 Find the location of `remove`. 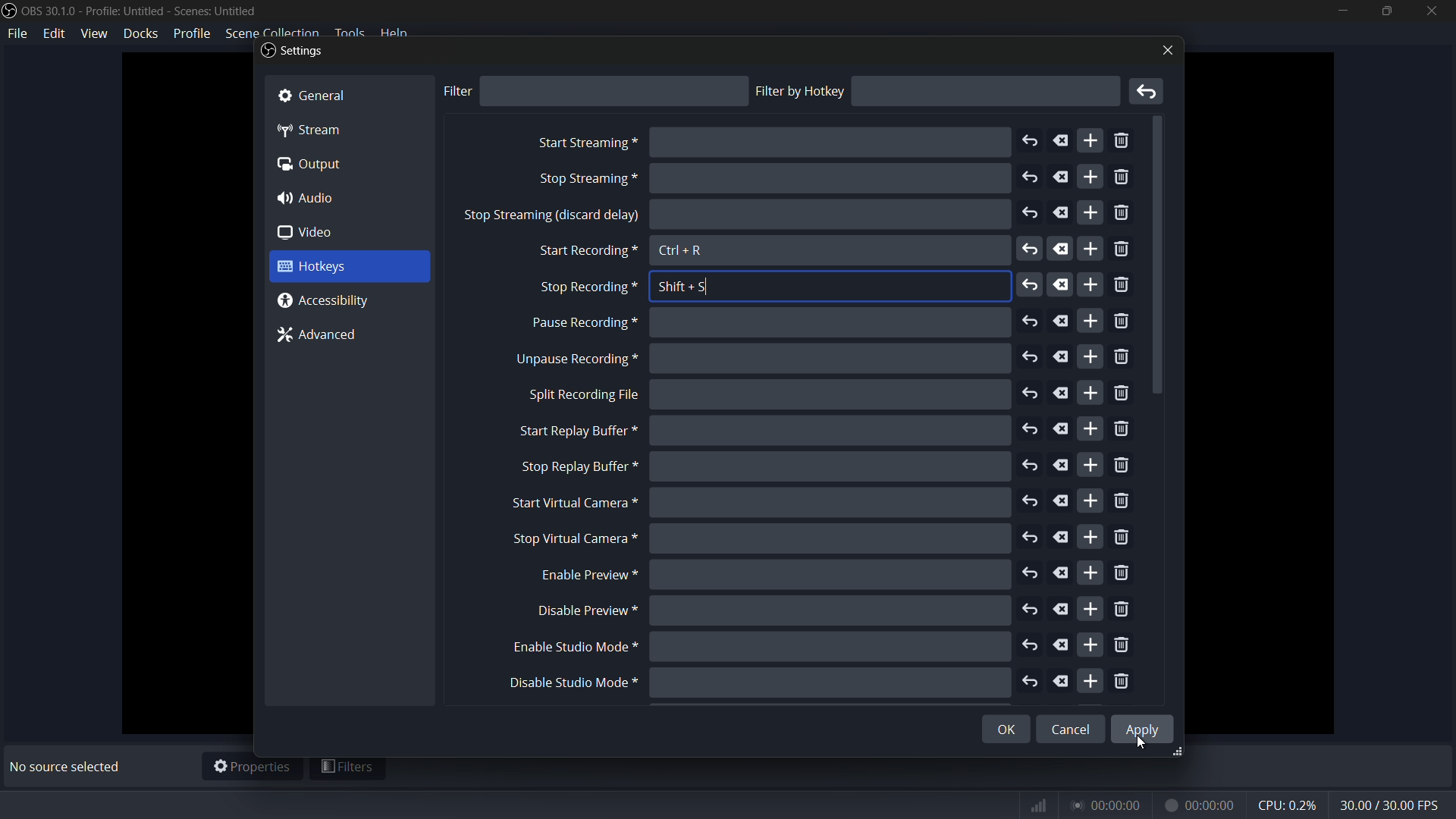

remove is located at coordinates (1123, 610).